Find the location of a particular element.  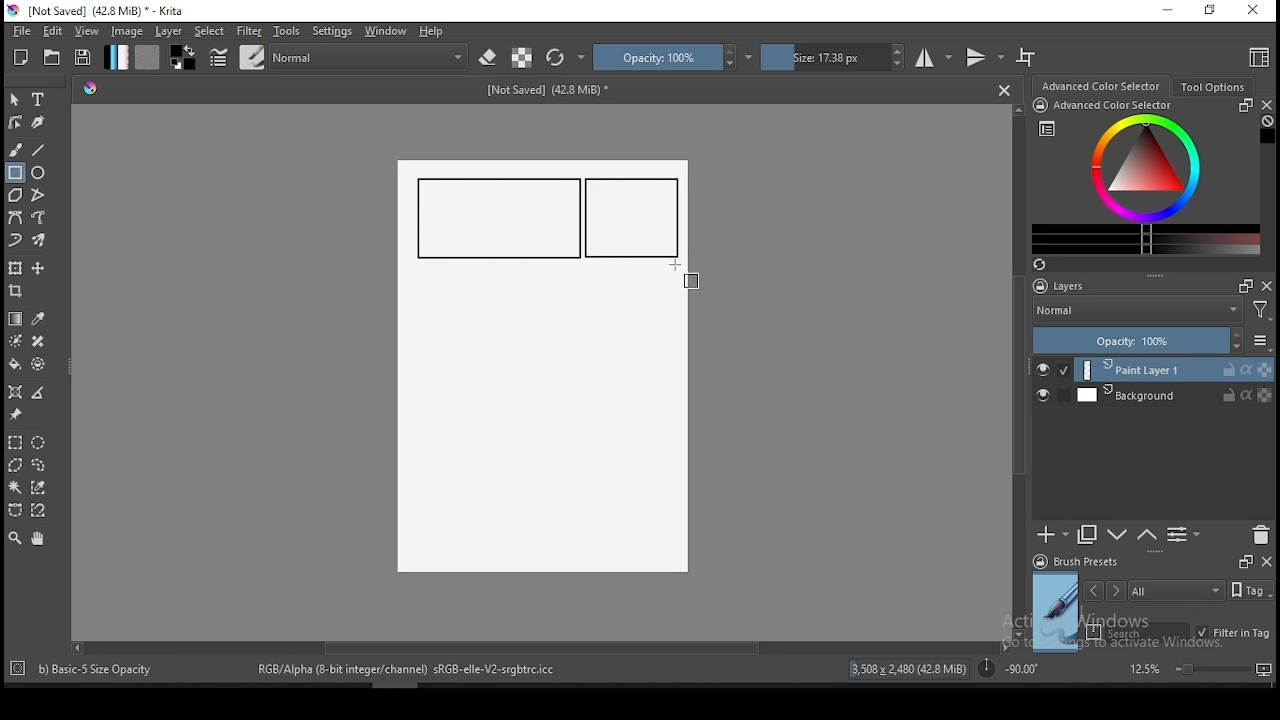

measure distance between two points is located at coordinates (39, 394).